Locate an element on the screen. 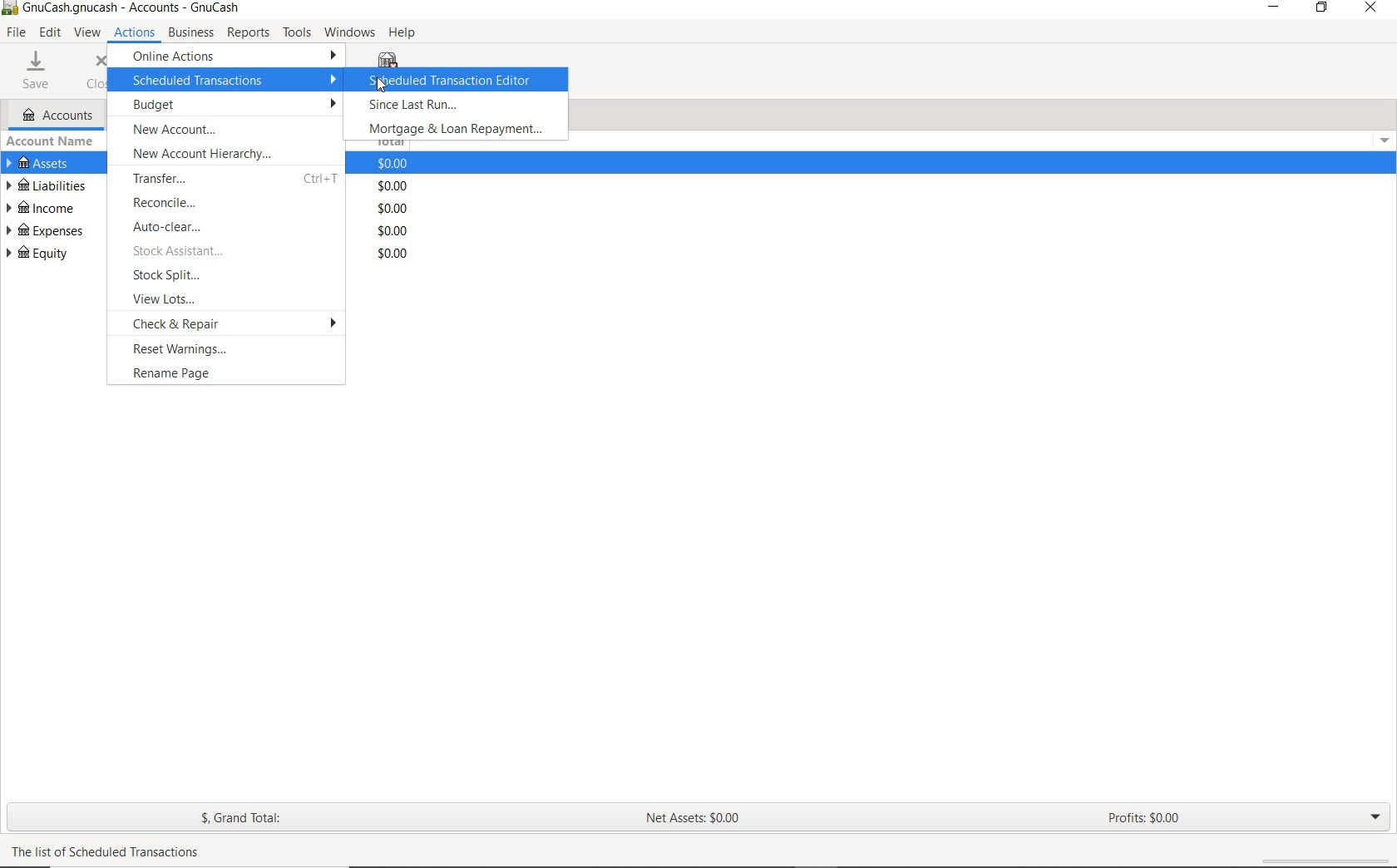 This screenshot has width=1397, height=868. SAVE is located at coordinates (36, 71).